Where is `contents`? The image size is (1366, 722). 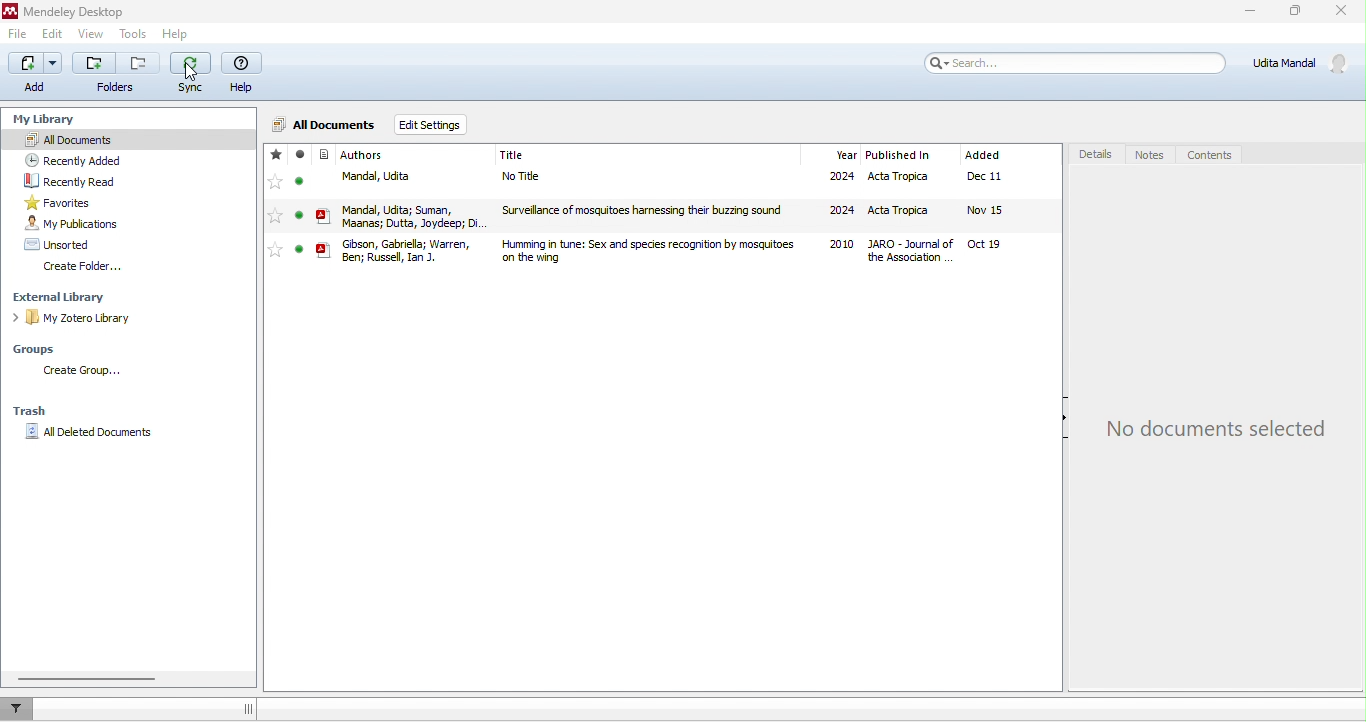 contents is located at coordinates (1210, 156).